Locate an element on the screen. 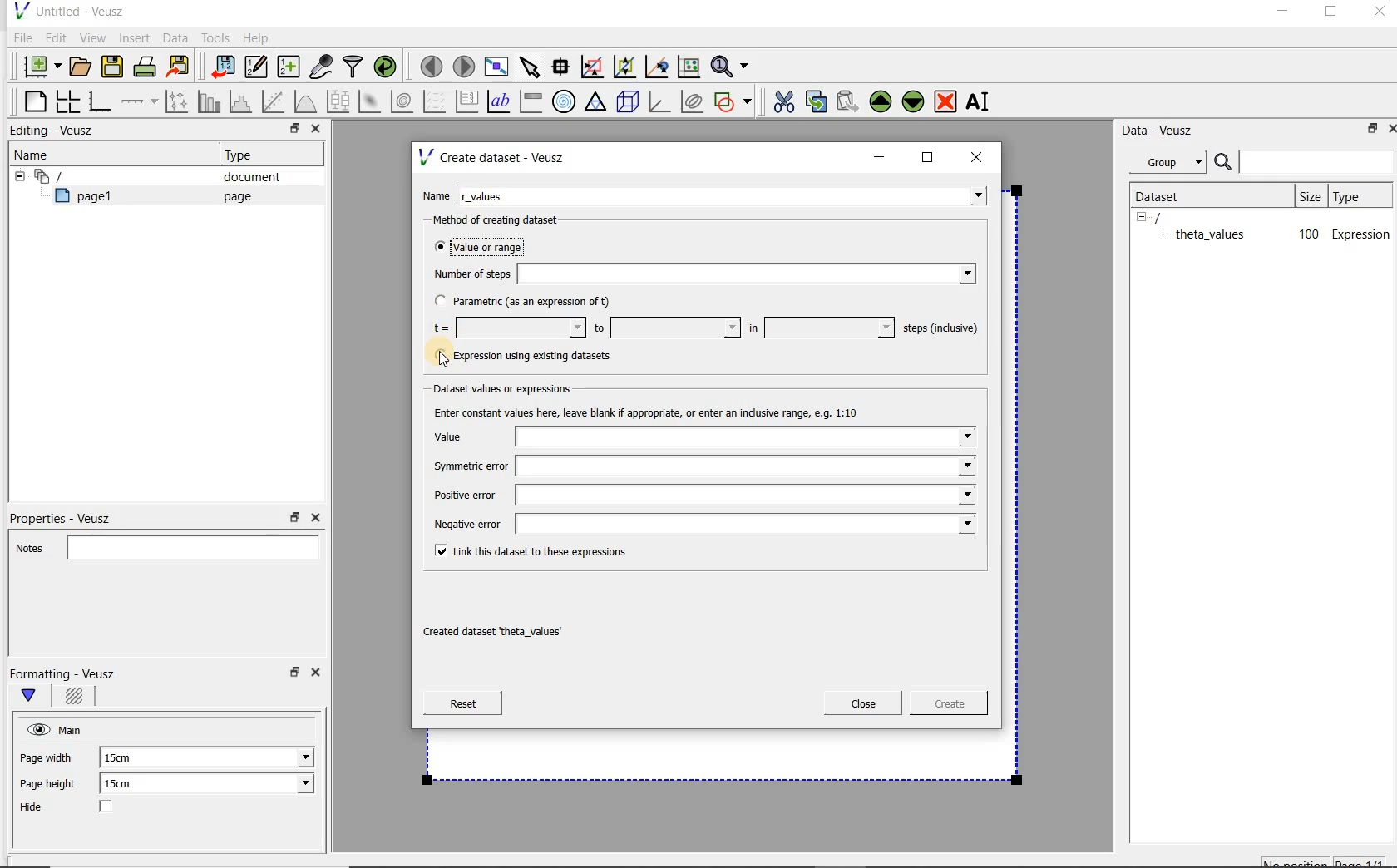 This screenshot has width=1397, height=868. open a document is located at coordinates (82, 65).